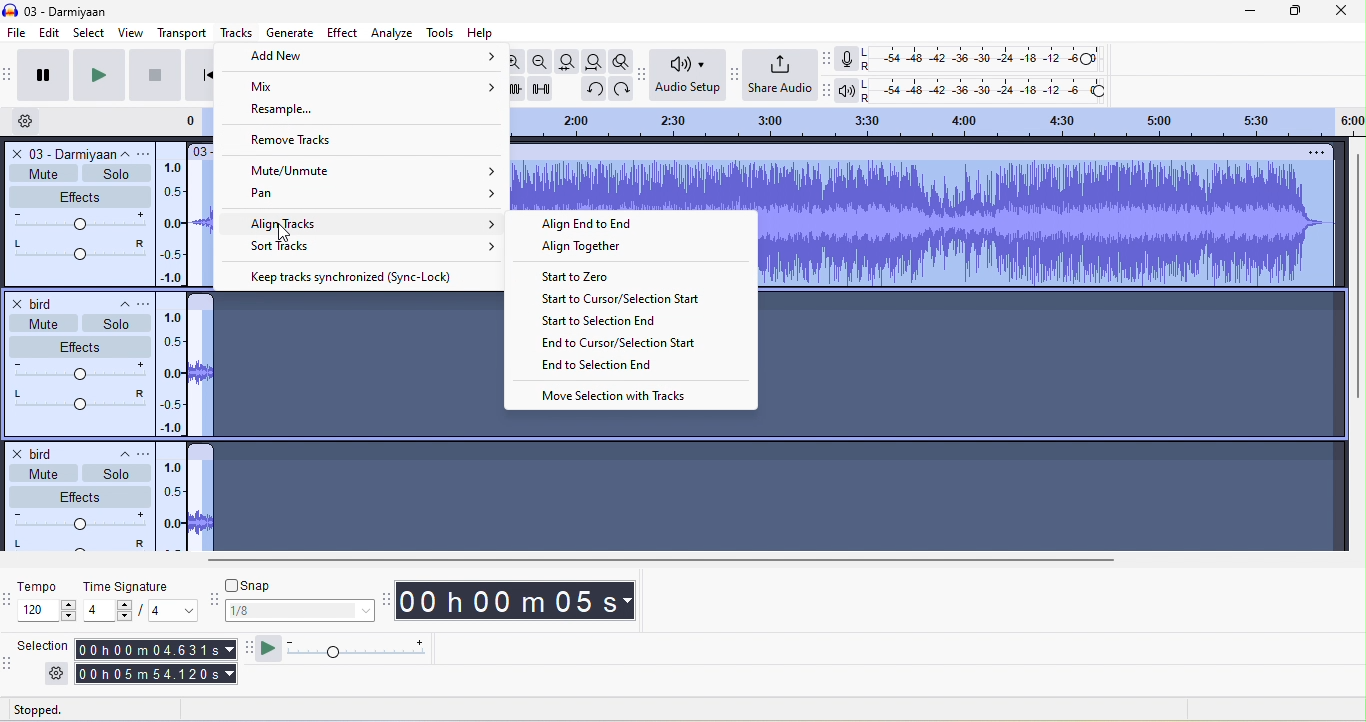  What do you see at coordinates (78, 251) in the screenshot?
I see `pan: center` at bounding box center [78, 251].